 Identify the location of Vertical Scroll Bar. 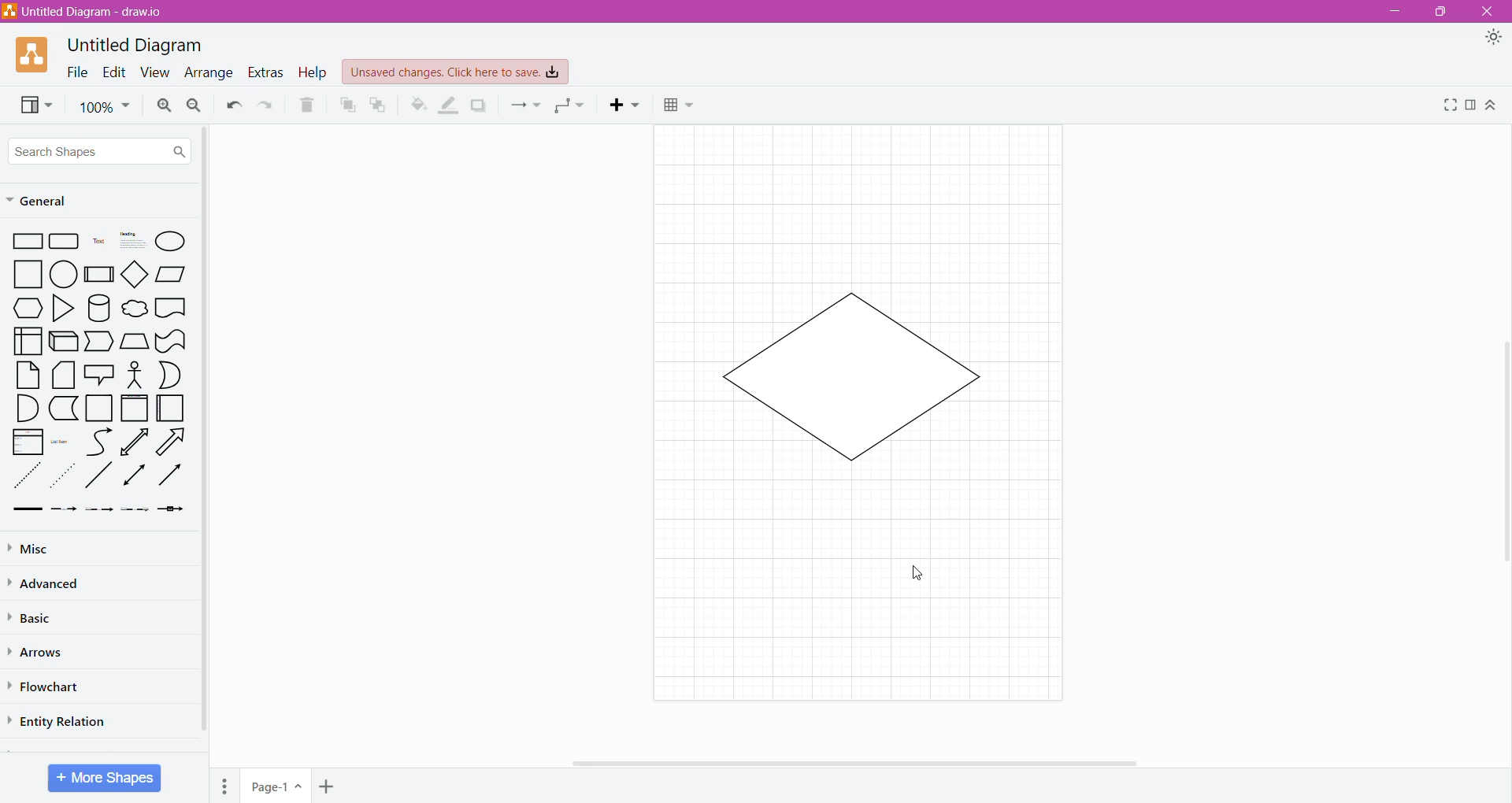
(1502, 447).